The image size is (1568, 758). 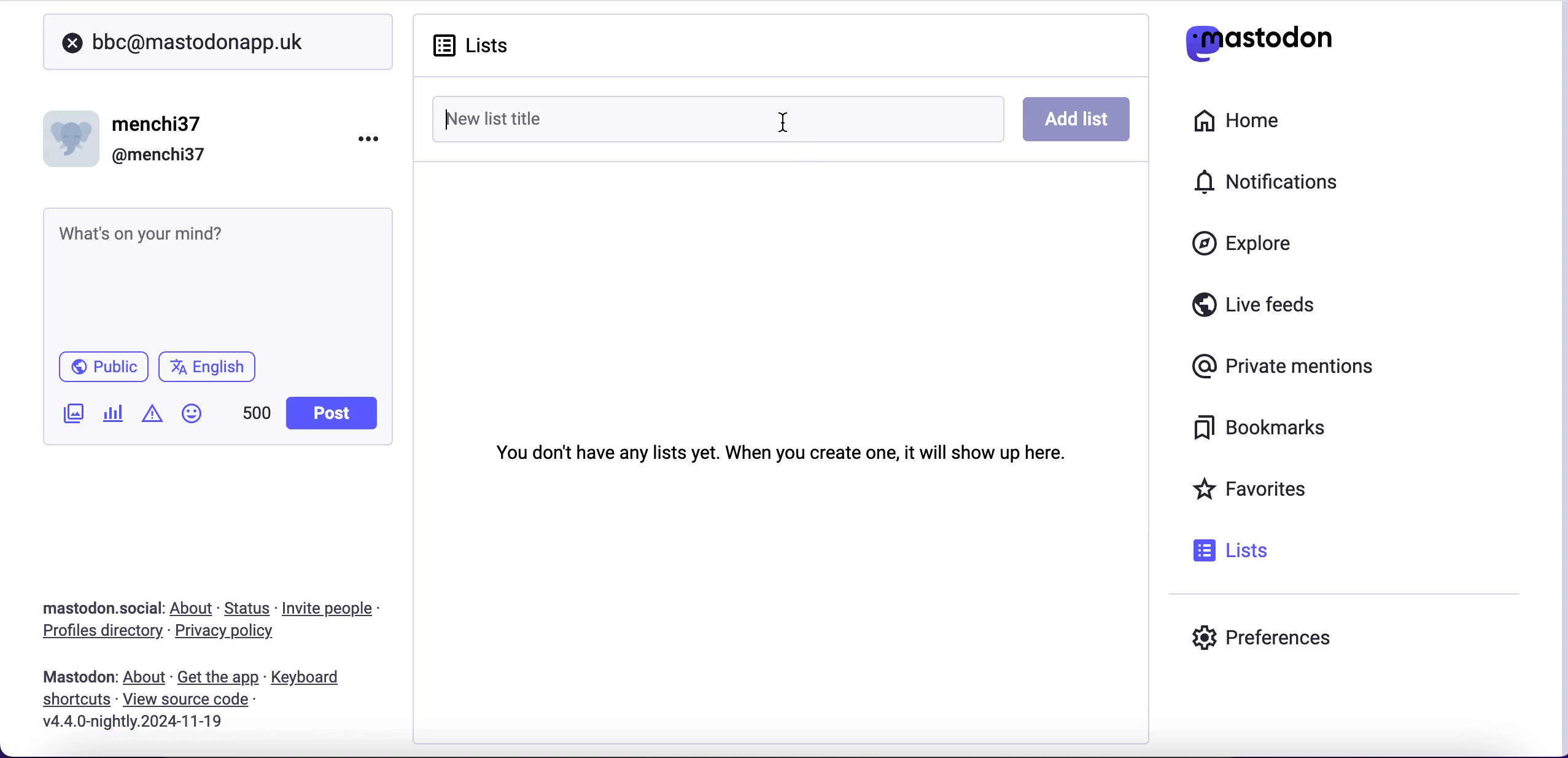 I want to click on mastodon logo, so click(x=1259, y=40).